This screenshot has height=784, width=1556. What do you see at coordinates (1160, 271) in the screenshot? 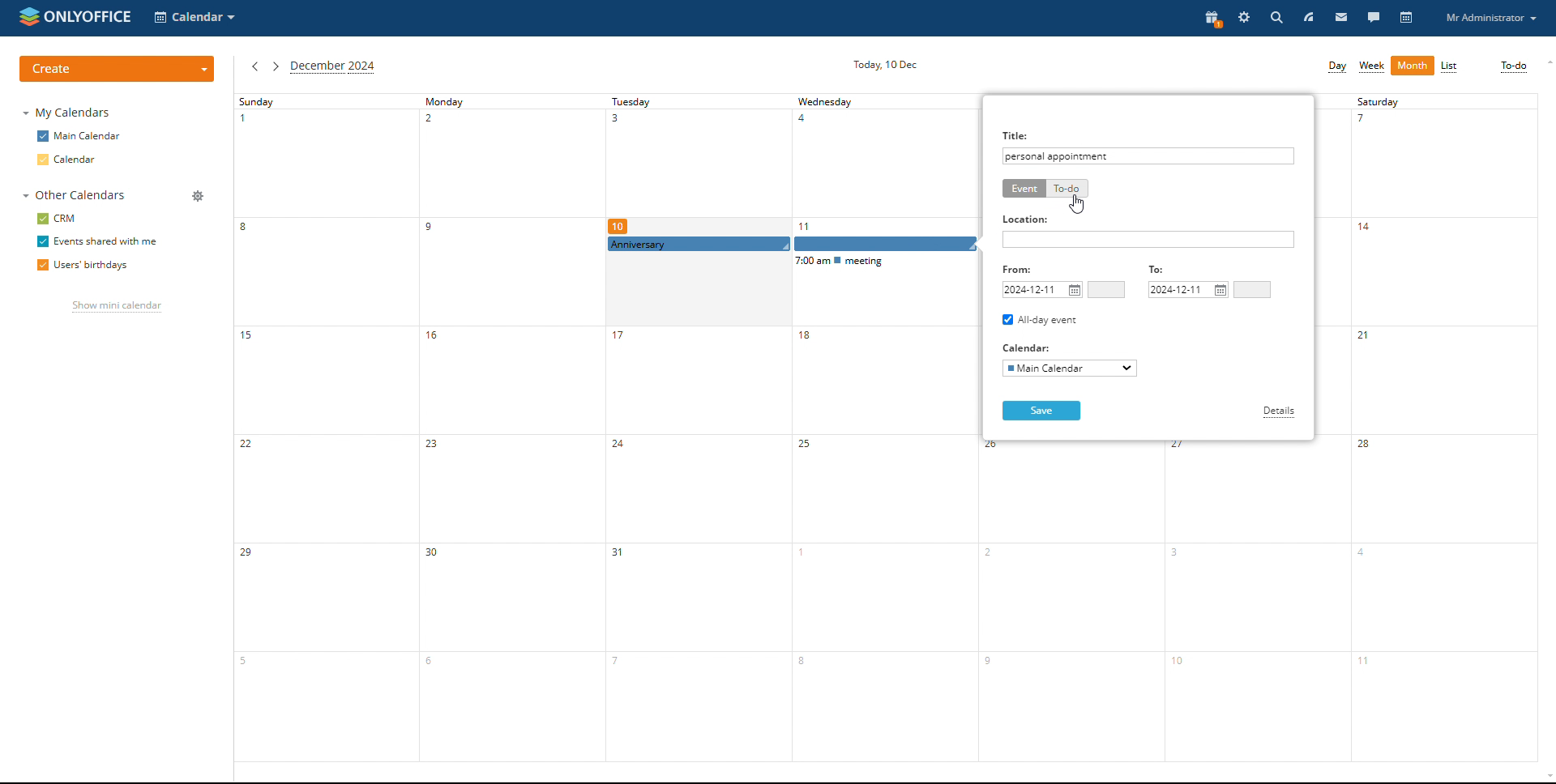
I see `To:` at bounding box center [1160, 271].